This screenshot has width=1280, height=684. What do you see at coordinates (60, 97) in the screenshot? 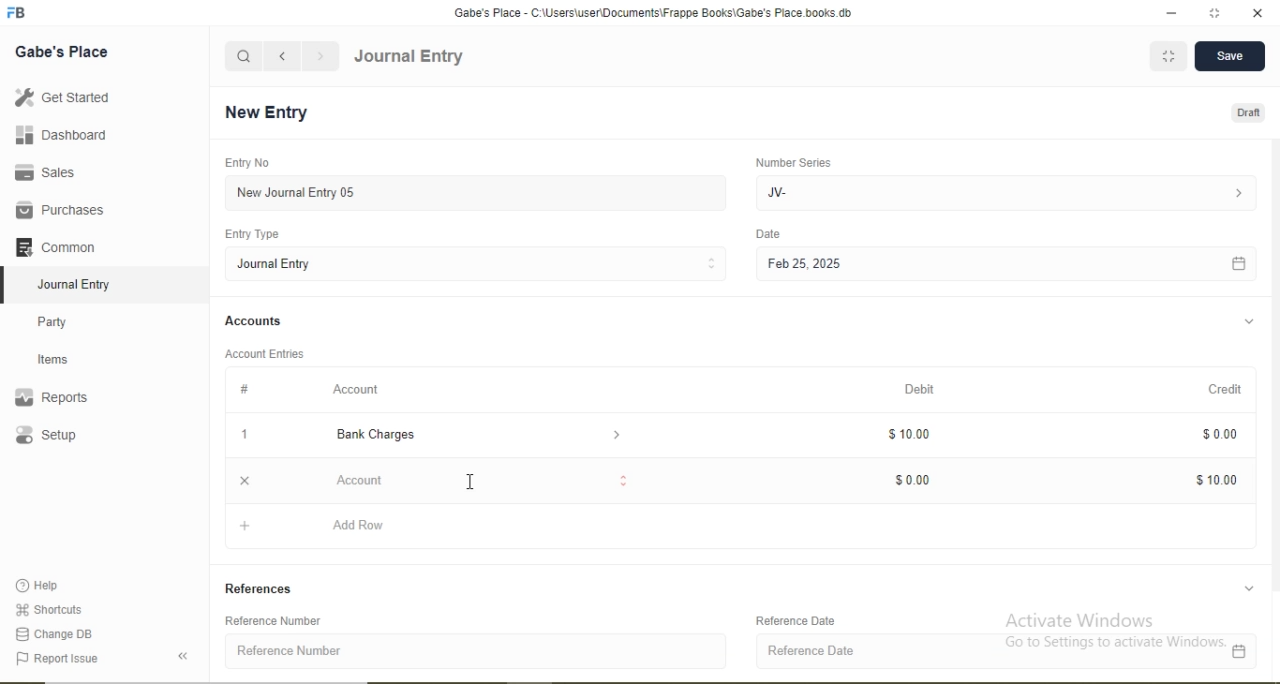
I see `Get Started` at bounding box center [60, 97].